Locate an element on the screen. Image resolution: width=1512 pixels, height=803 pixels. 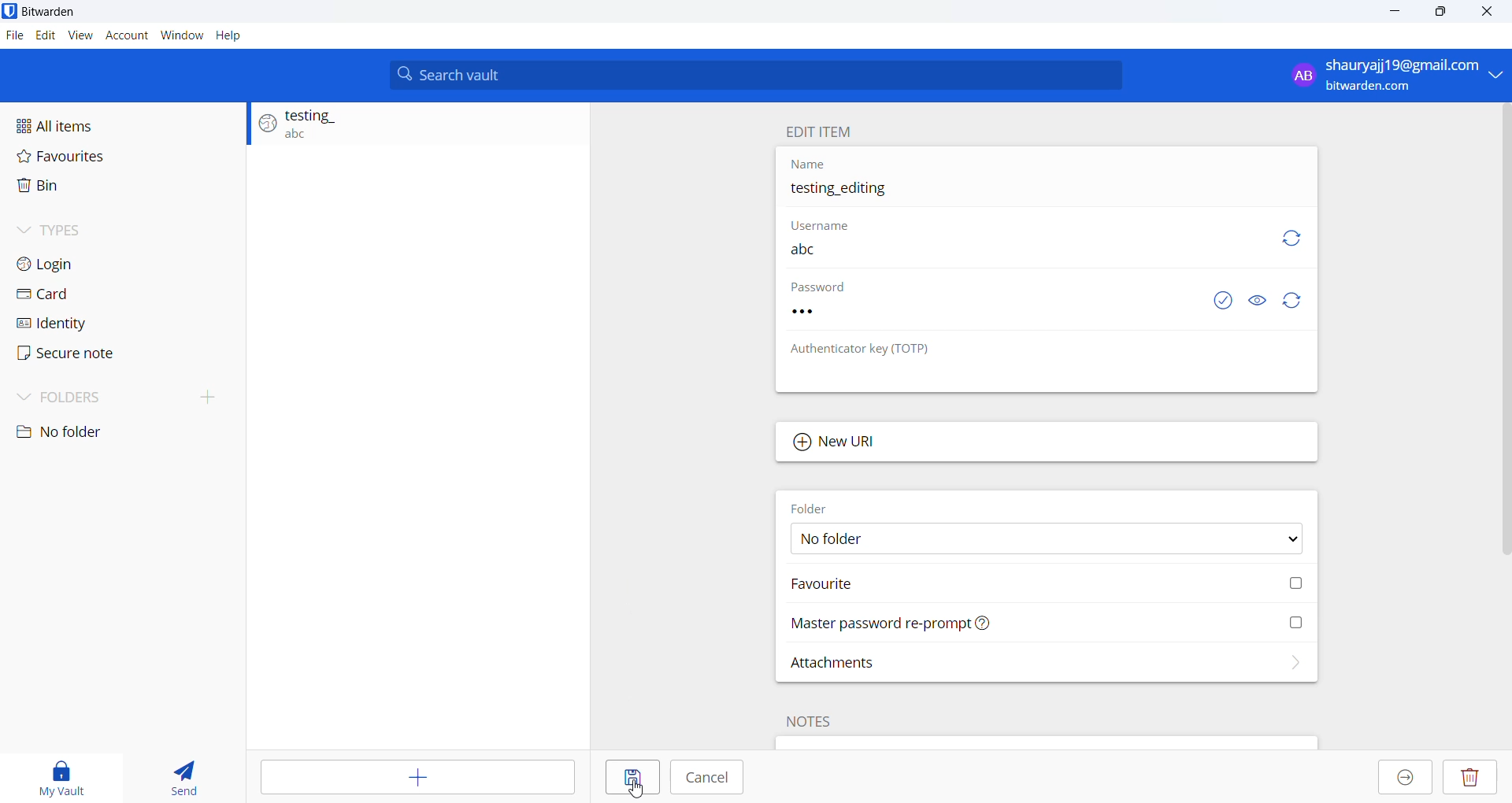
Help is located at coordinates (229, 35).